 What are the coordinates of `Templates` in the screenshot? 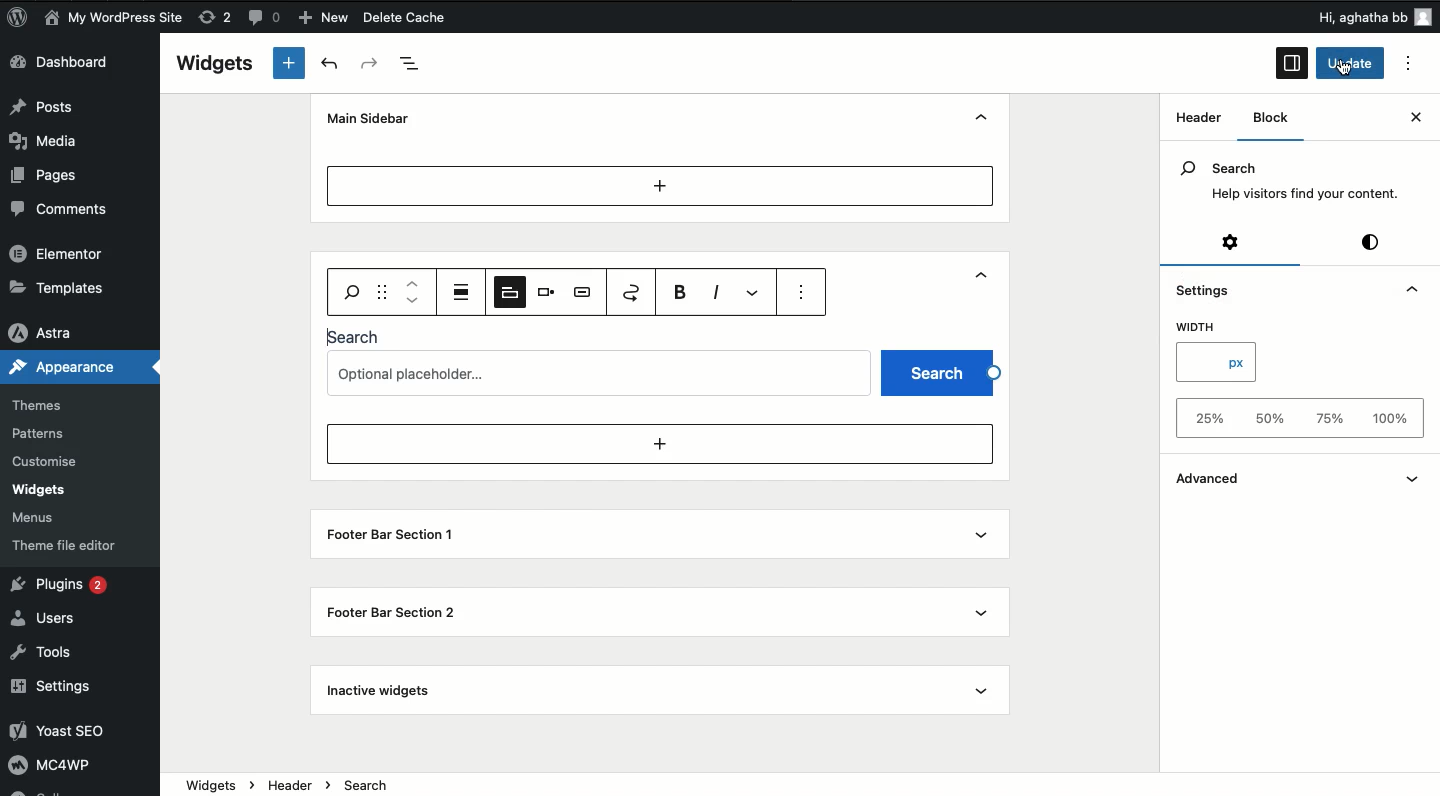 It's located at (58, 287).